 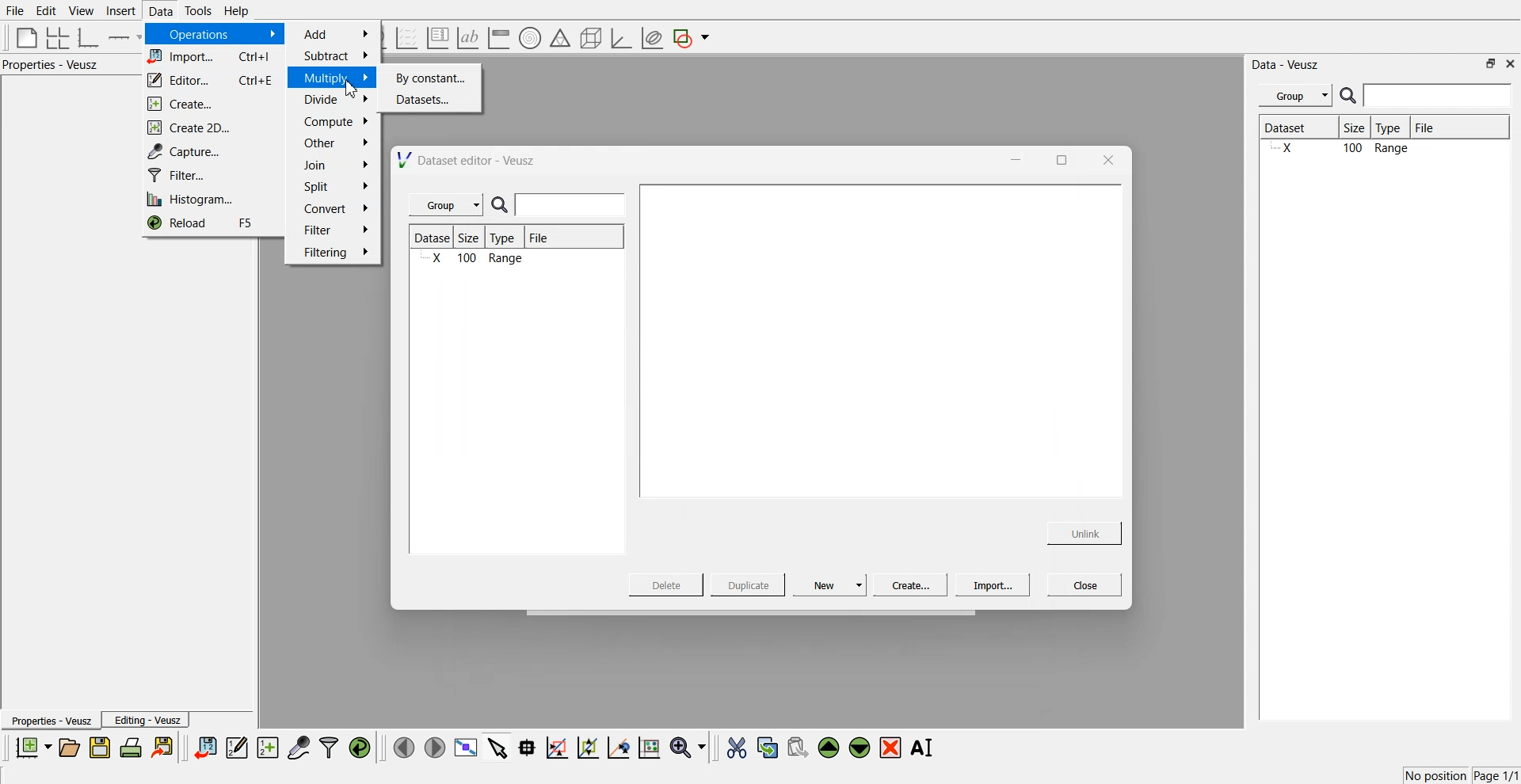 What do you see at coordinates (336, 121) in the screenshot?
I see `Compute` at bounding box center [336, 121].